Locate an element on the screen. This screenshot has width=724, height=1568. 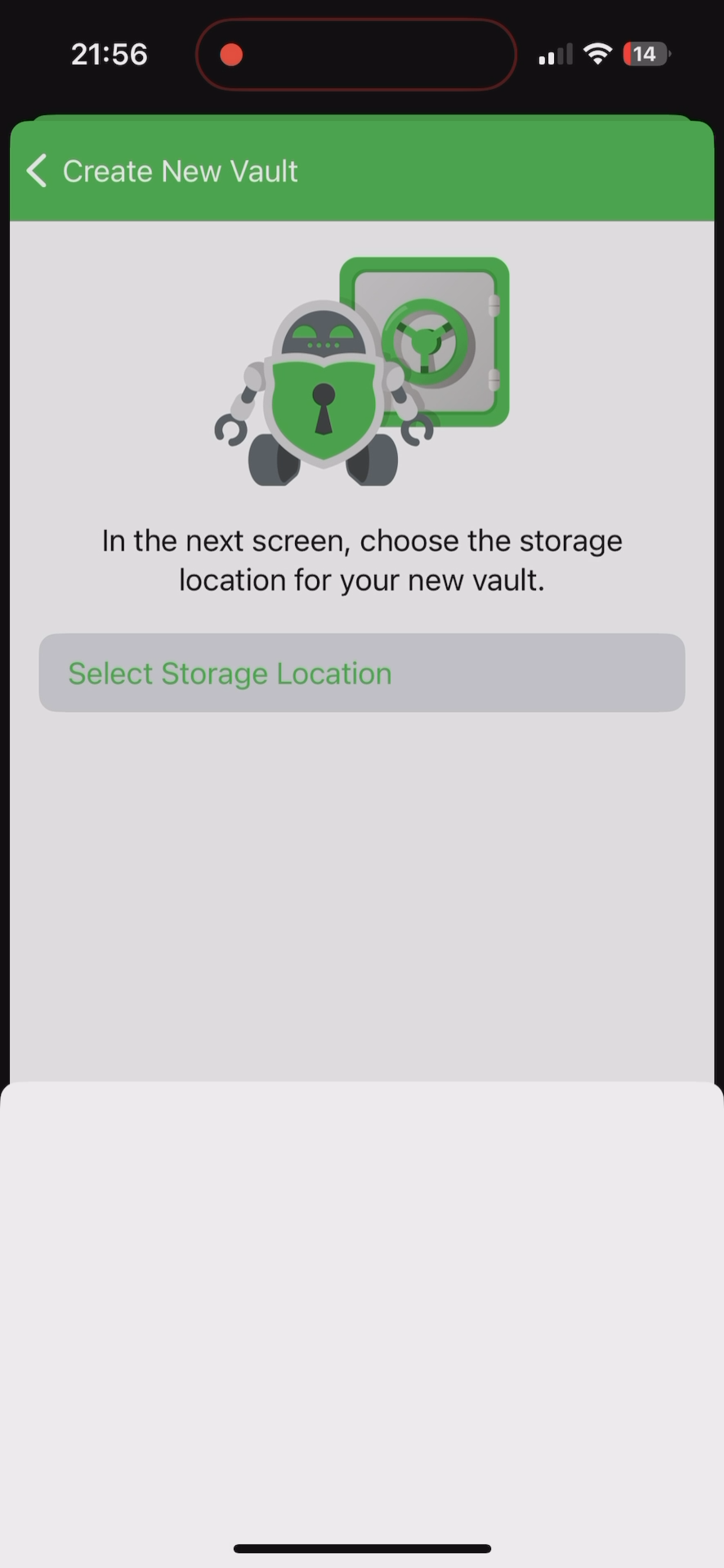
21:56 is located at coordinates (107, 57).